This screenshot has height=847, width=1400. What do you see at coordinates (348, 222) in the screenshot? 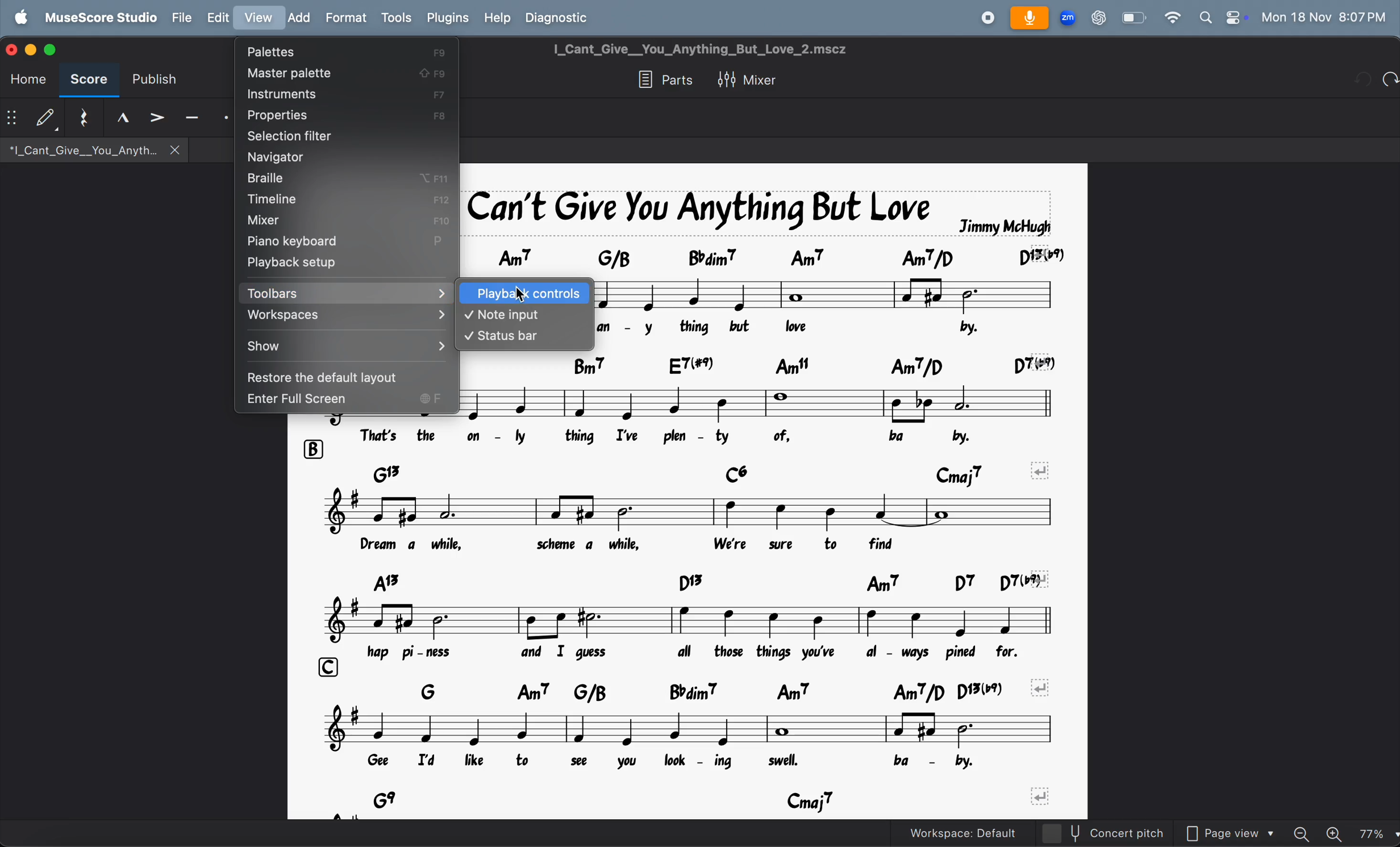
I see `mixer` at bounding box center [348, 222].